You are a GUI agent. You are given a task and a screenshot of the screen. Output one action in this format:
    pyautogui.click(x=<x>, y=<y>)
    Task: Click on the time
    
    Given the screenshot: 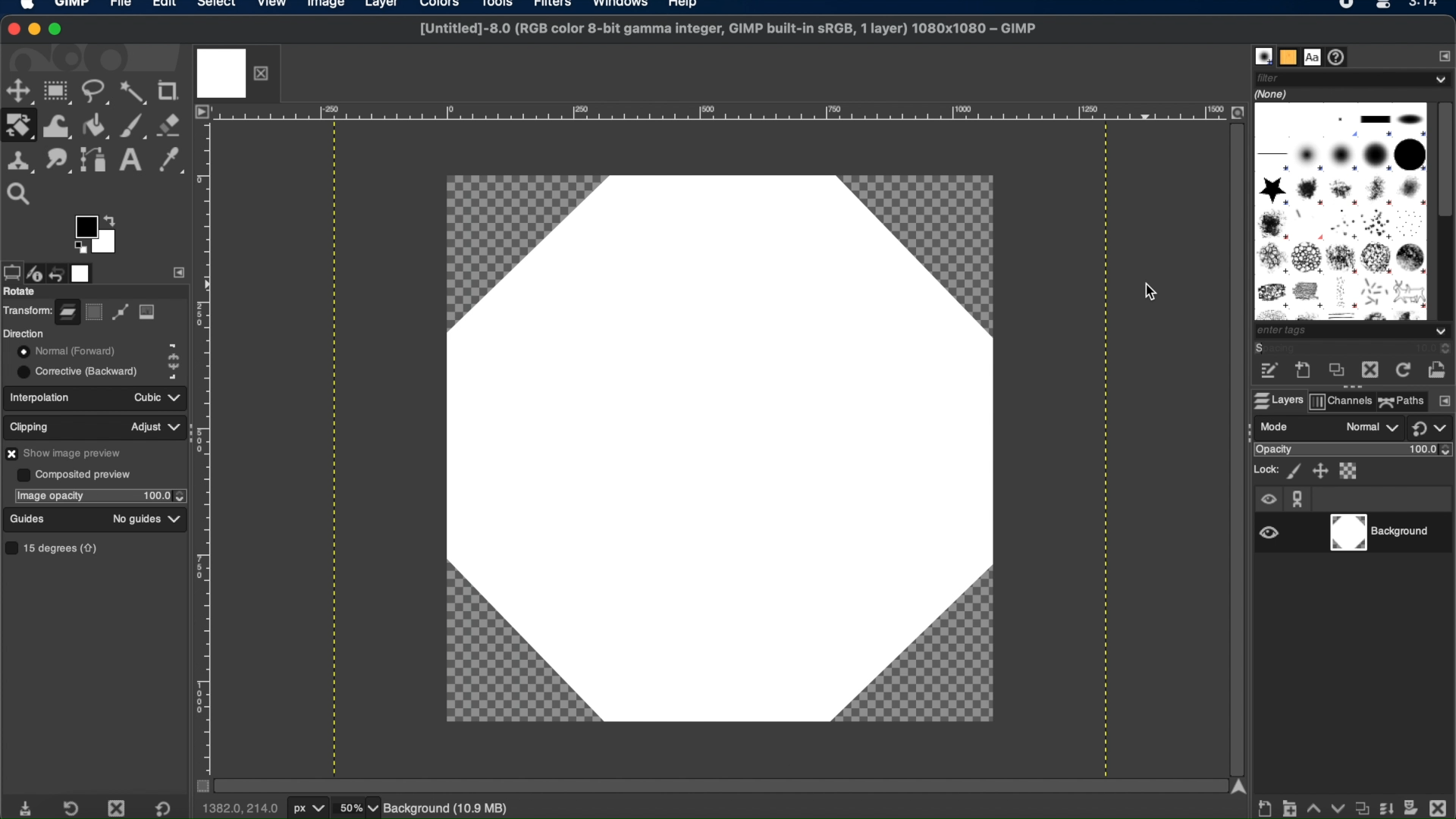 What is the action you would take?
    pyautogui.click(x=1426, y=8)
    